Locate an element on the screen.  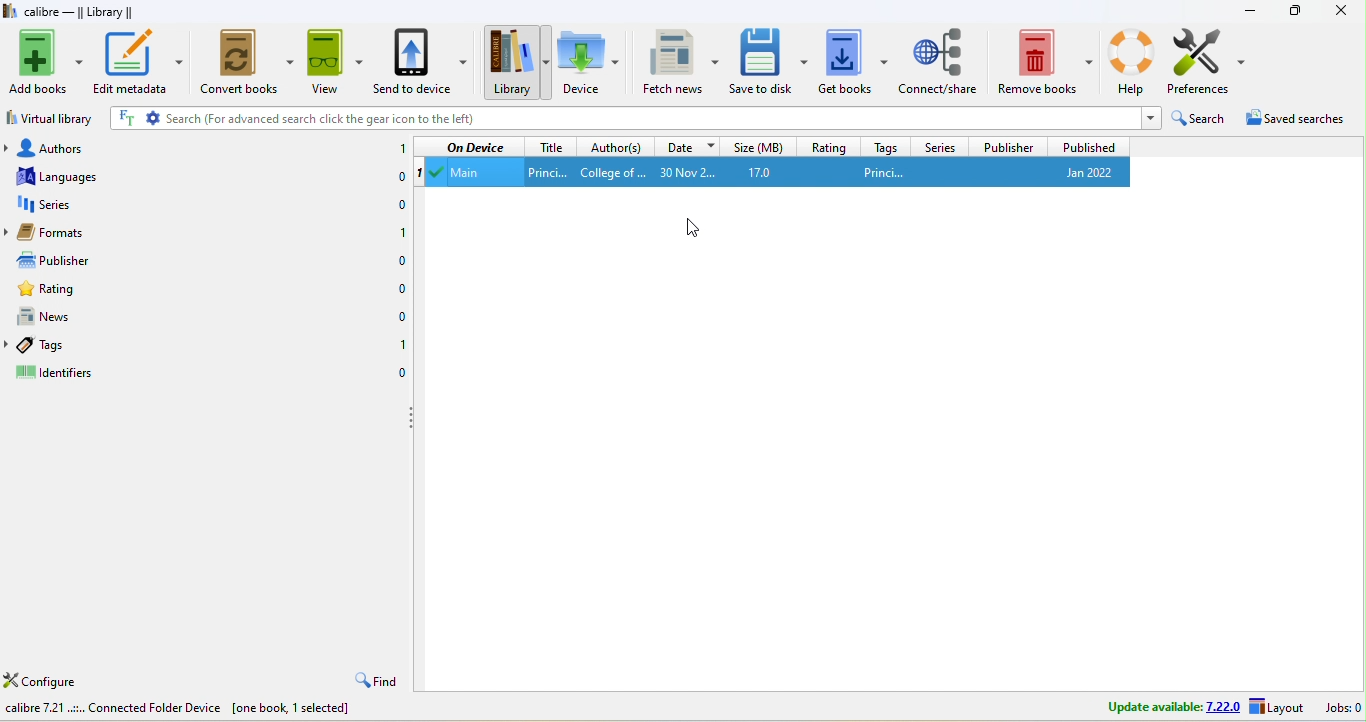
0 is located at coordinates (402, 290).